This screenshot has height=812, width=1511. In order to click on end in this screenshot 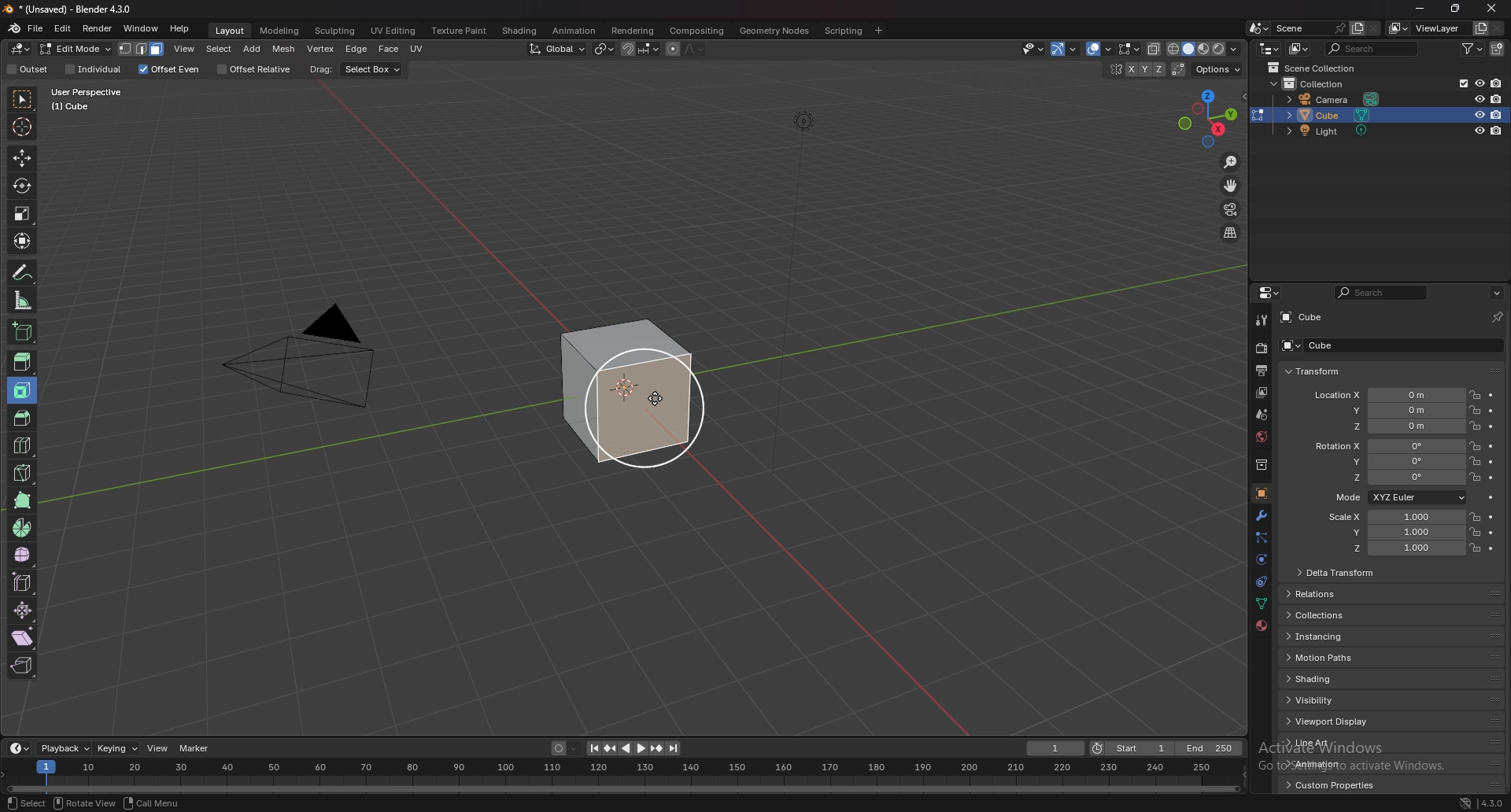, I will do `click(1211, 748)`.